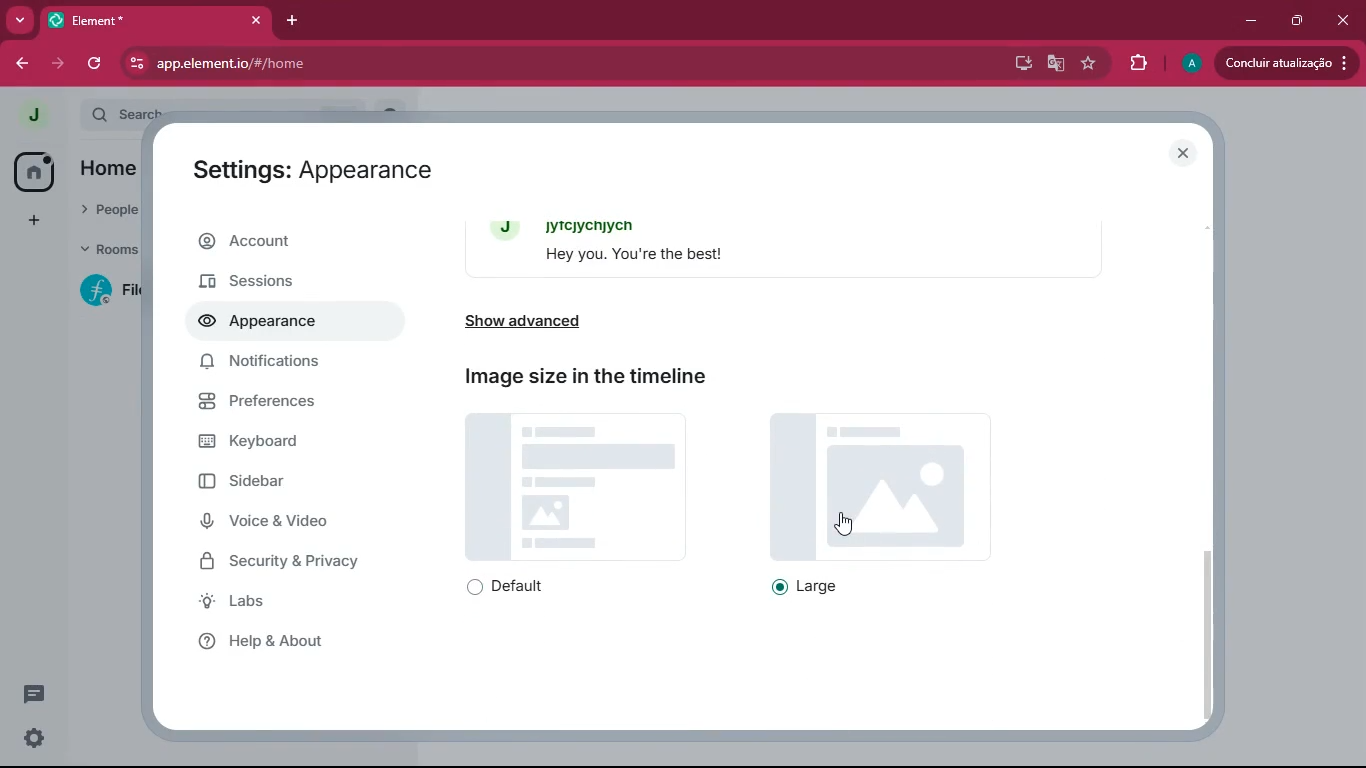  Describe the element at coordinates (1056, 66) in the screenshot. I see `google translate` at that location.